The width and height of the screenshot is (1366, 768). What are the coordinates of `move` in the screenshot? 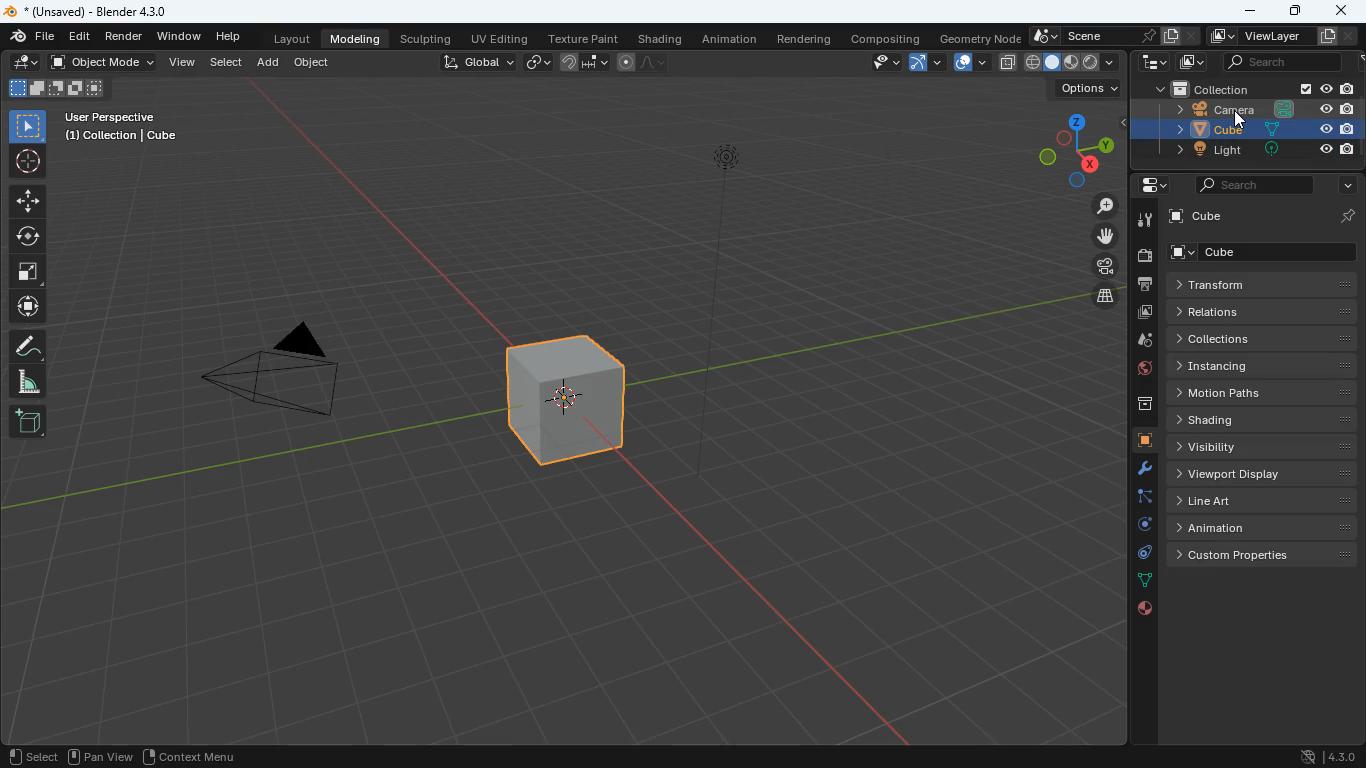 It's located at (28, 308).